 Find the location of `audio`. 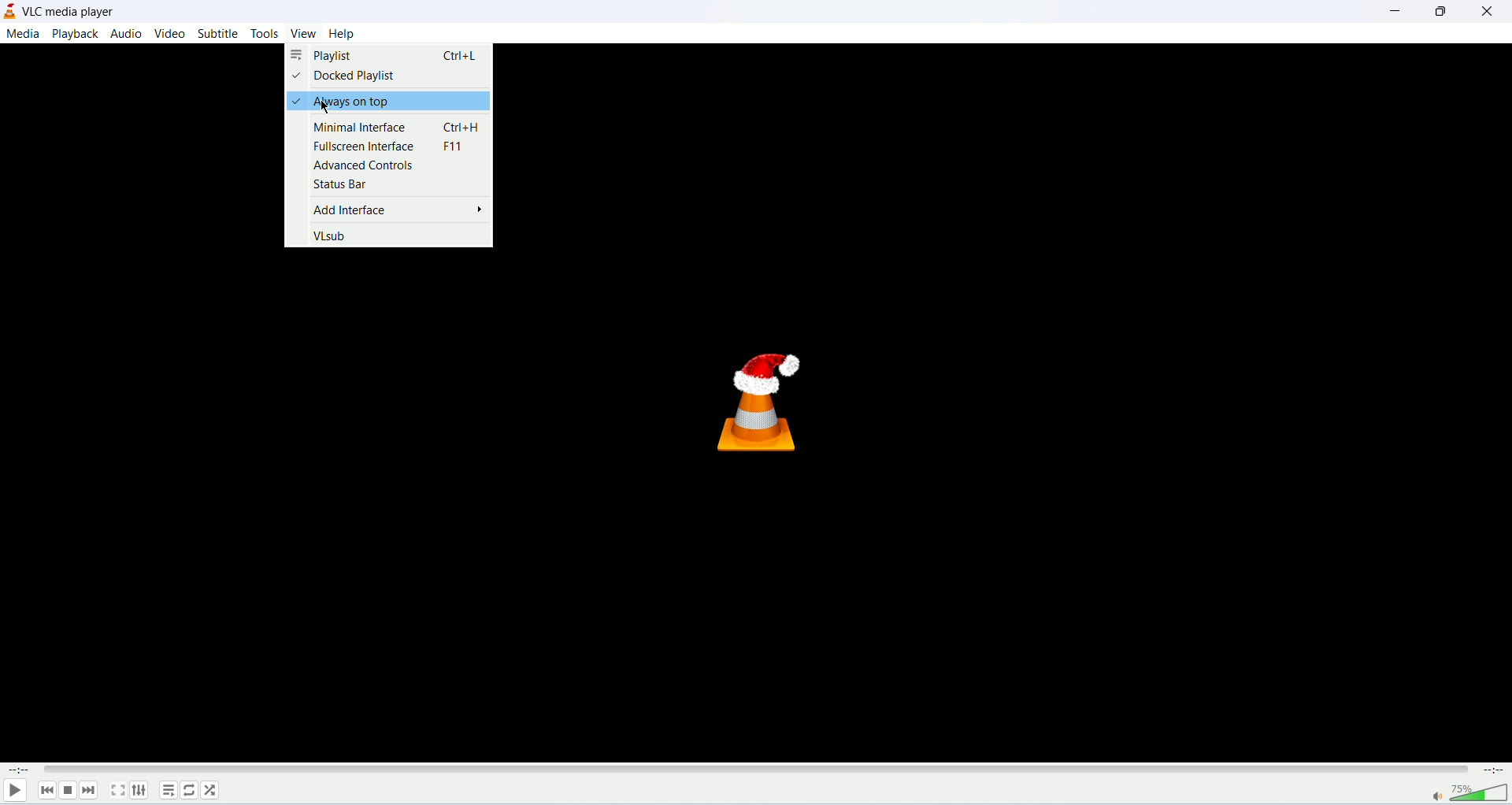

audio is located at coordinates (125, 35).